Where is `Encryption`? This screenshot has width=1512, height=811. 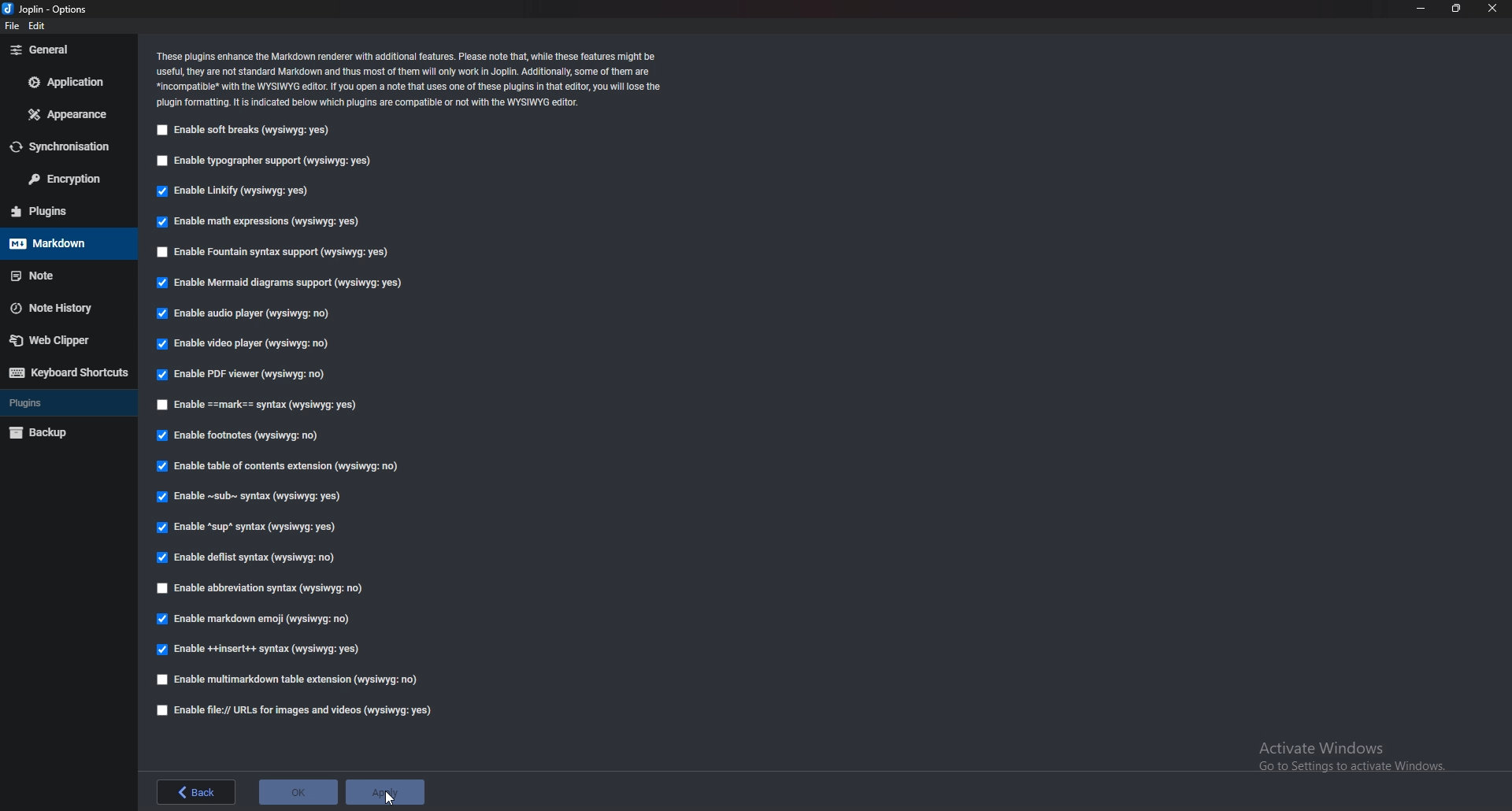
Encryption is located at coordinates (69, 180).